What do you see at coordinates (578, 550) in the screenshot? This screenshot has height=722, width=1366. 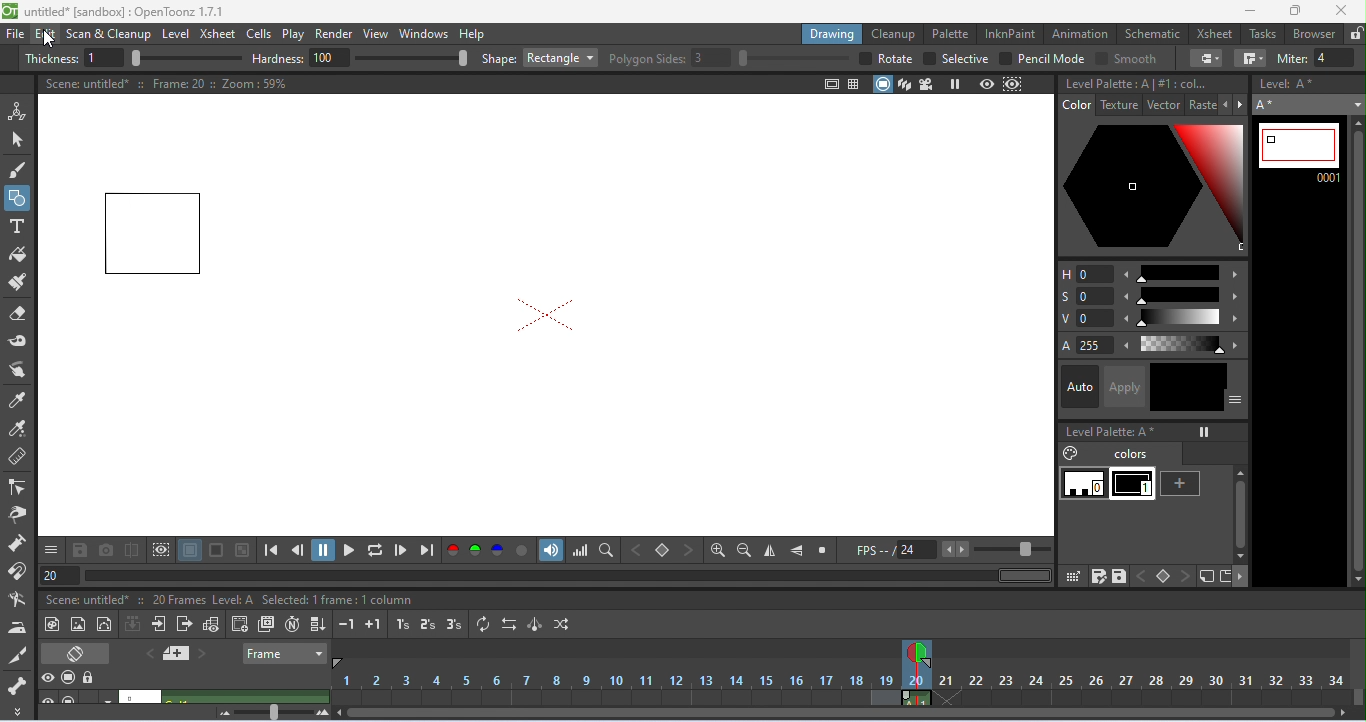 I see `histogram` at bounding box center [578, 550].